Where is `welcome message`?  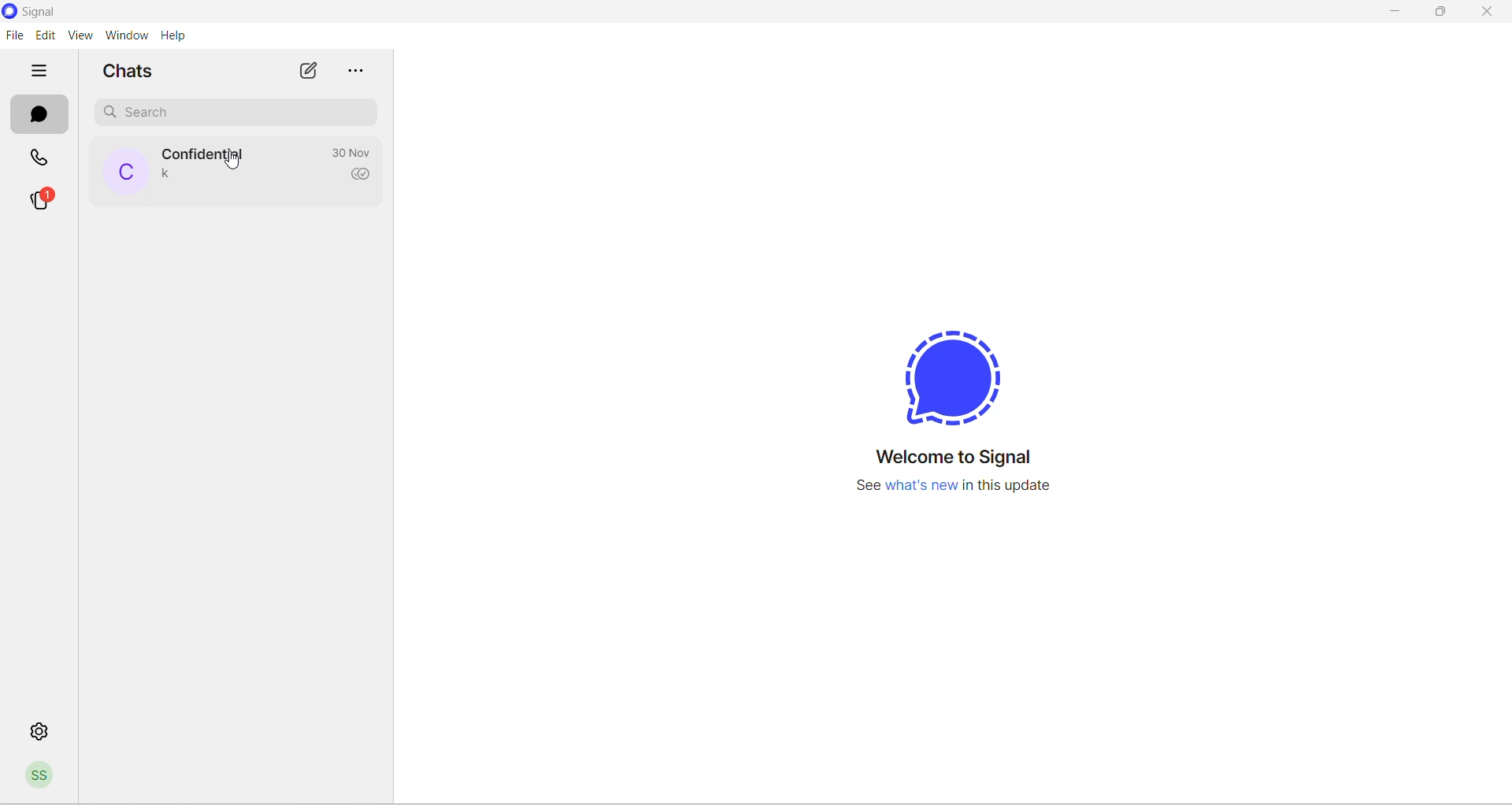
welcome message is located at coordinates (962, 458).